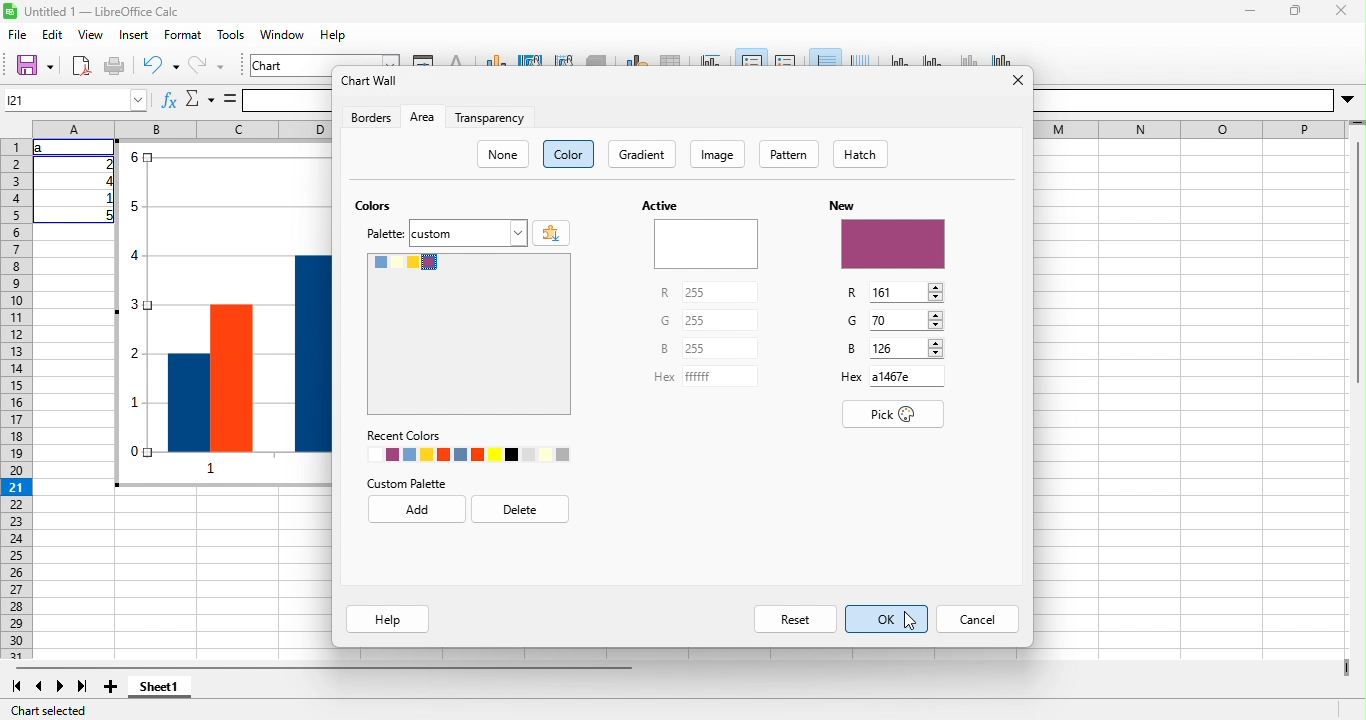 This screenshot has height=720, width=1366. What do you see at coordinates (795, 619) in the screenshot?
I see `reset` at bounding box center [795, 619].